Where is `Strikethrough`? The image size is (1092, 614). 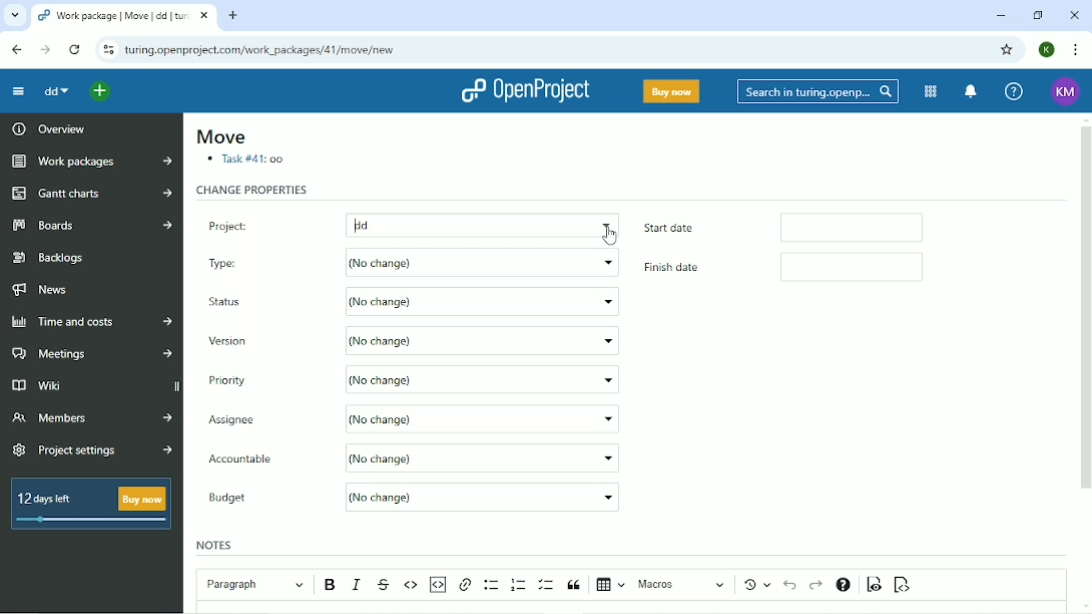
Strikethrough is located at coordinates (385, 585).